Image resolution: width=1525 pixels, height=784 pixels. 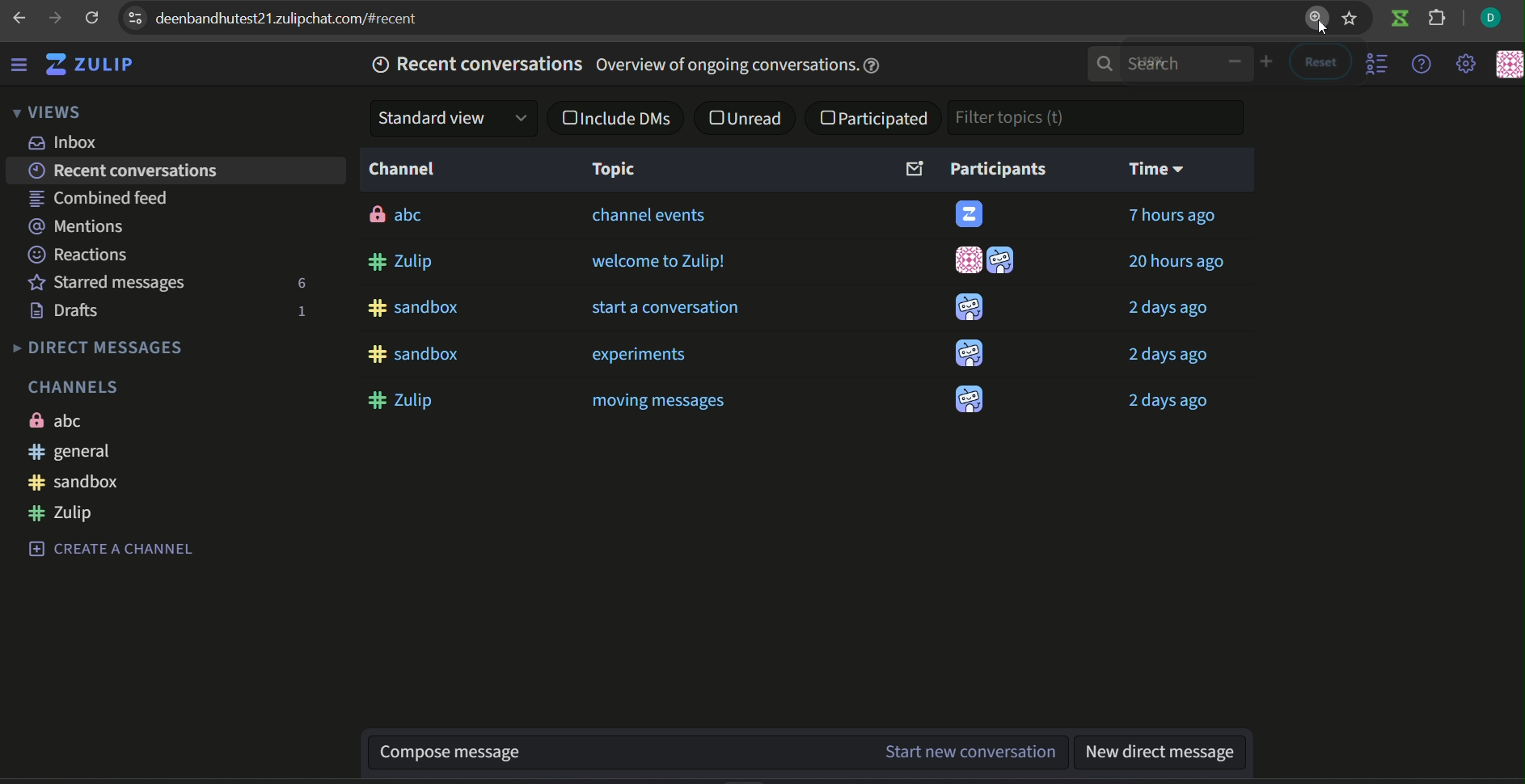 What do you see at coordinates (747, 120) in the screenshot?
I see `unread` at bounding box center [747, 120].